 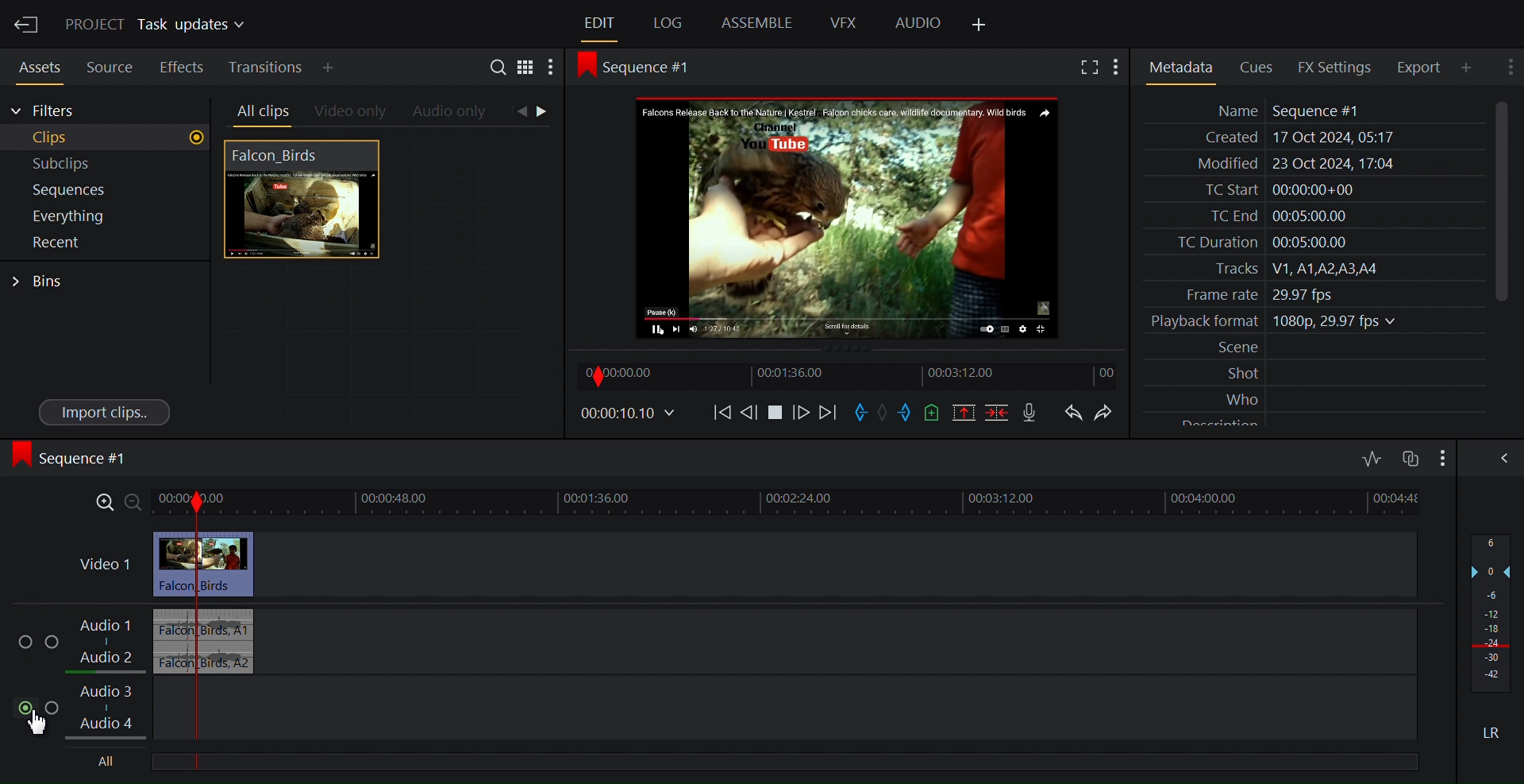 What do you see at coordinates (237, 565) in the screenshot?
I see `video clip` at bounding box center [237, 565].